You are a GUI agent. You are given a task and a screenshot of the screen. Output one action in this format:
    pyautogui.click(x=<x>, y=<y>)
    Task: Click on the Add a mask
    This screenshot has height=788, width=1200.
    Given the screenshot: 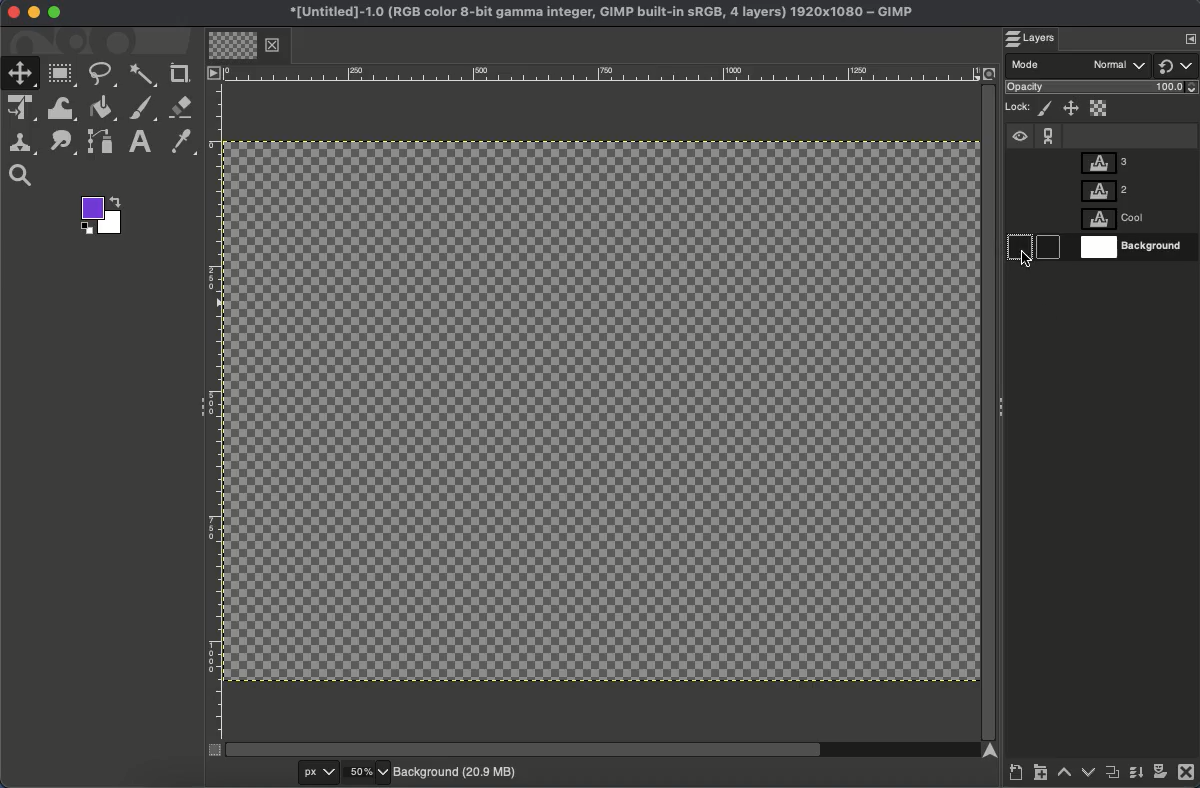 What is the action you would take?
    pyautogui.click(x=1160, y=775)
    